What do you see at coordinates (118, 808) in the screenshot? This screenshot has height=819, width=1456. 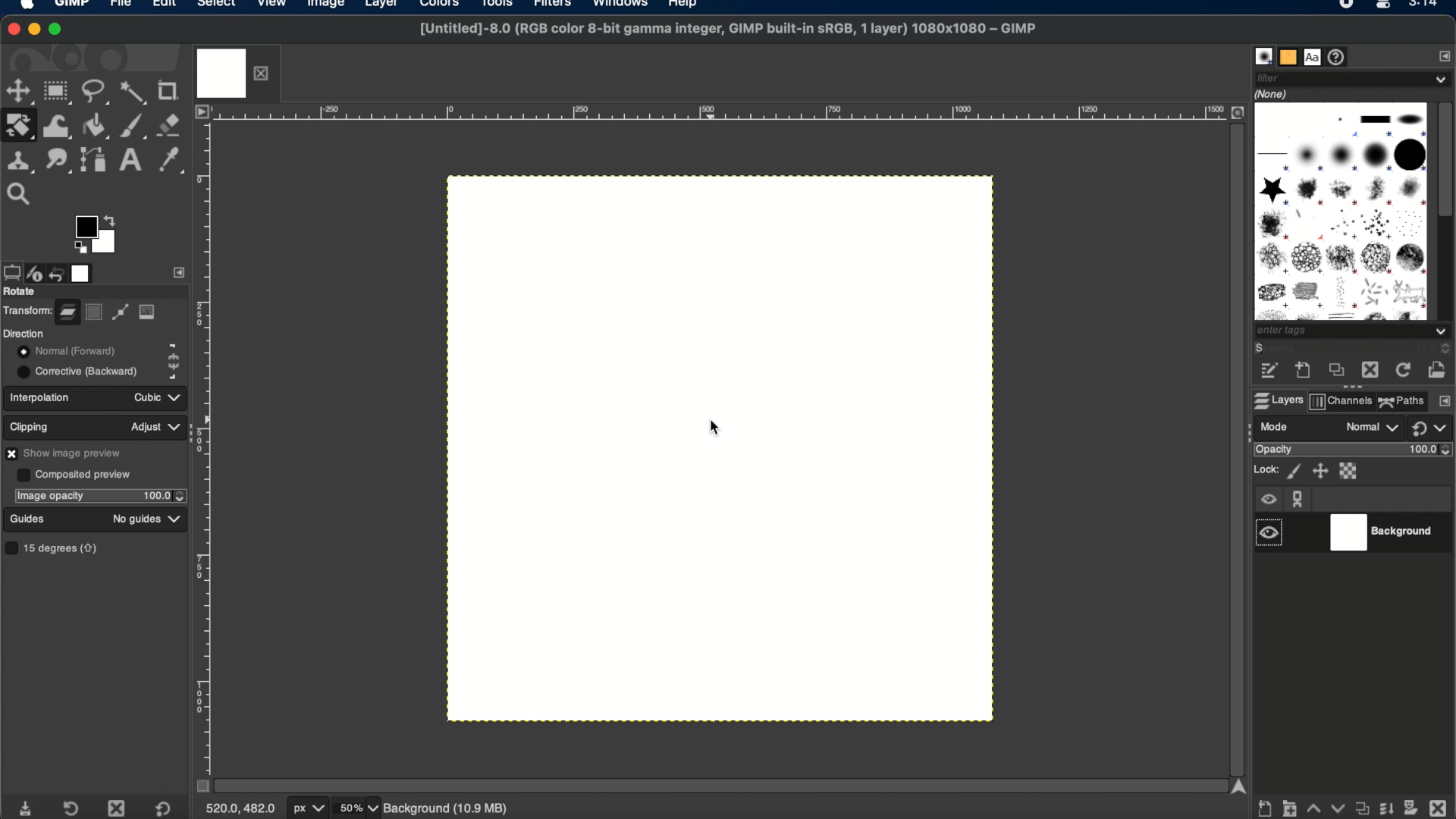 I see `delete tool preset` at bounding box center [118, 808].